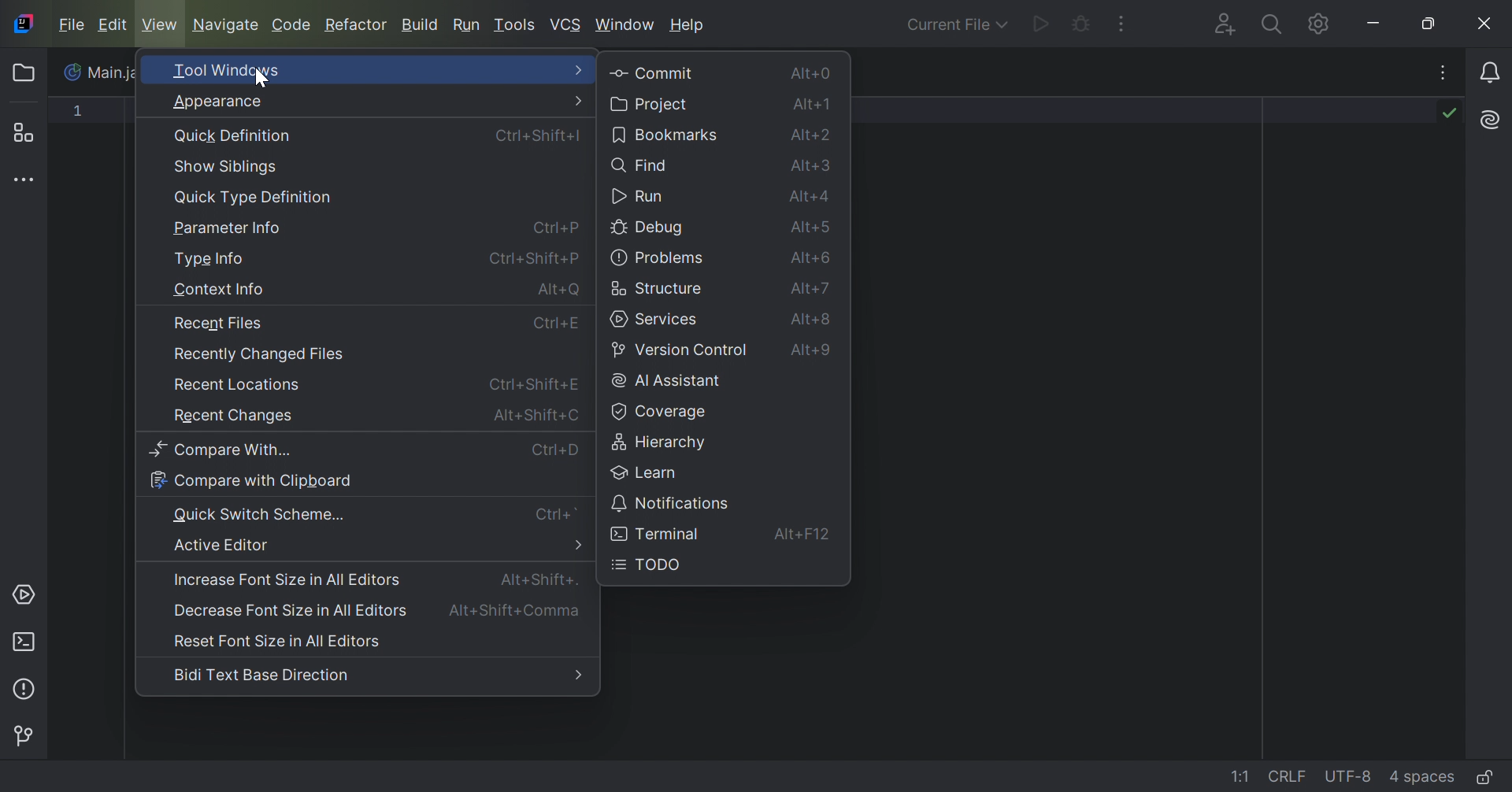  I want to click on Search everywhere, so click(1270, 27).